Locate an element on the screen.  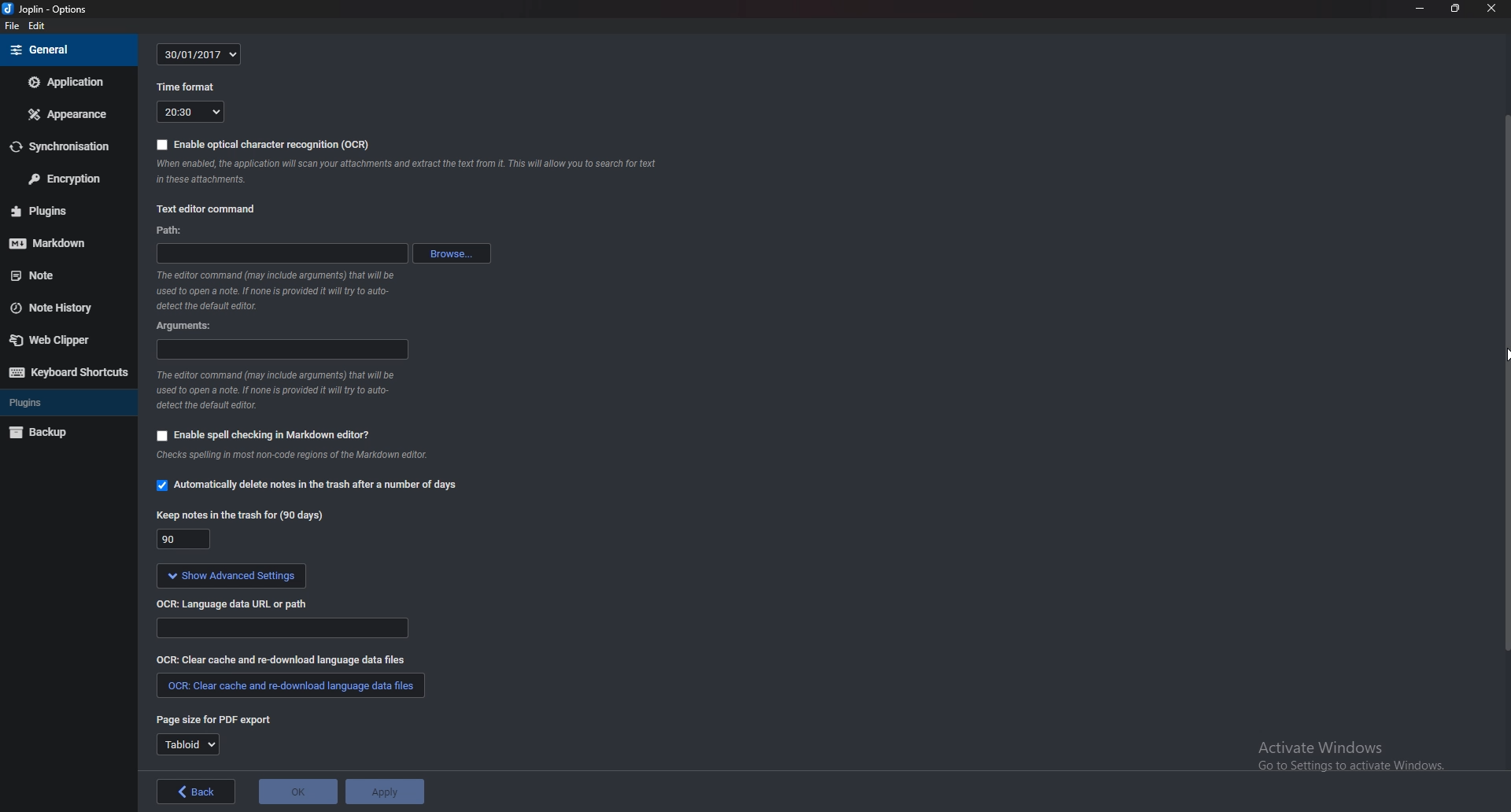
browse is located at coordinates (449, 253).